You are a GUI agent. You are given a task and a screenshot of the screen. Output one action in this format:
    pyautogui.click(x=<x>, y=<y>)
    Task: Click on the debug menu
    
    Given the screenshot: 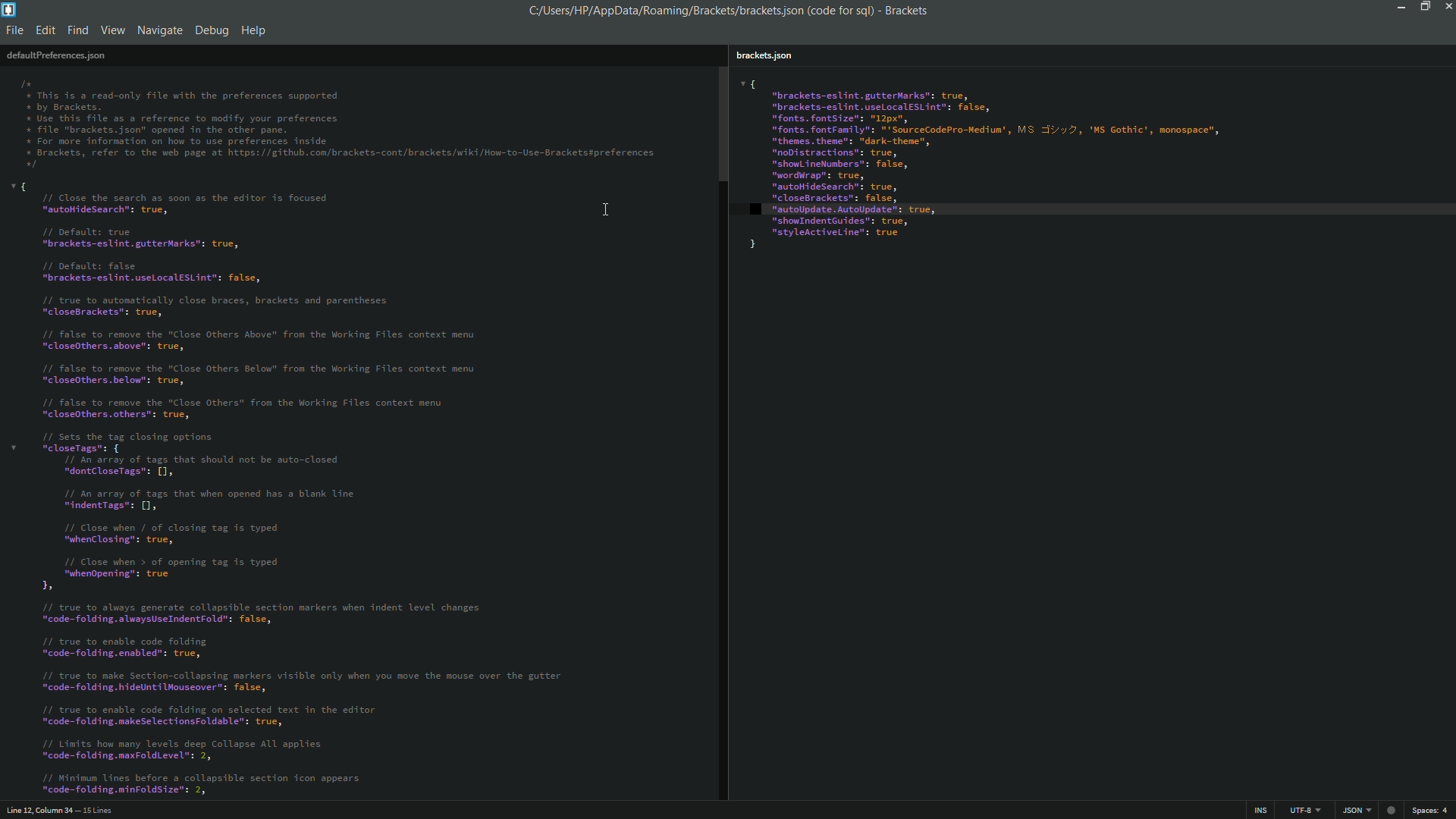 What is the action you would take?
    pyautogui.click(x=212, y=28)
    